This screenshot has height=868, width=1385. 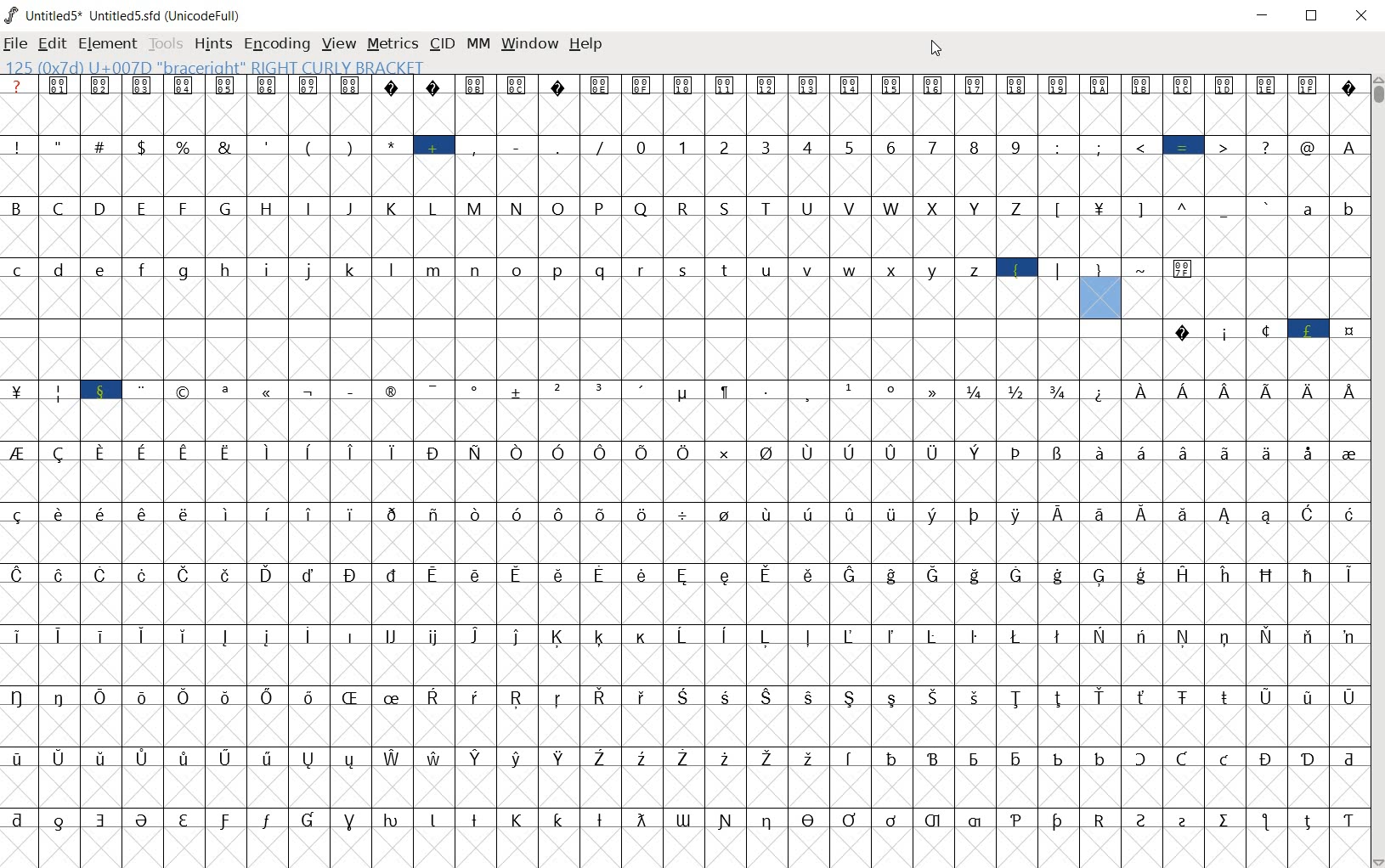 I want to click on SCROLLBAR, so click(x=1377, y=471).